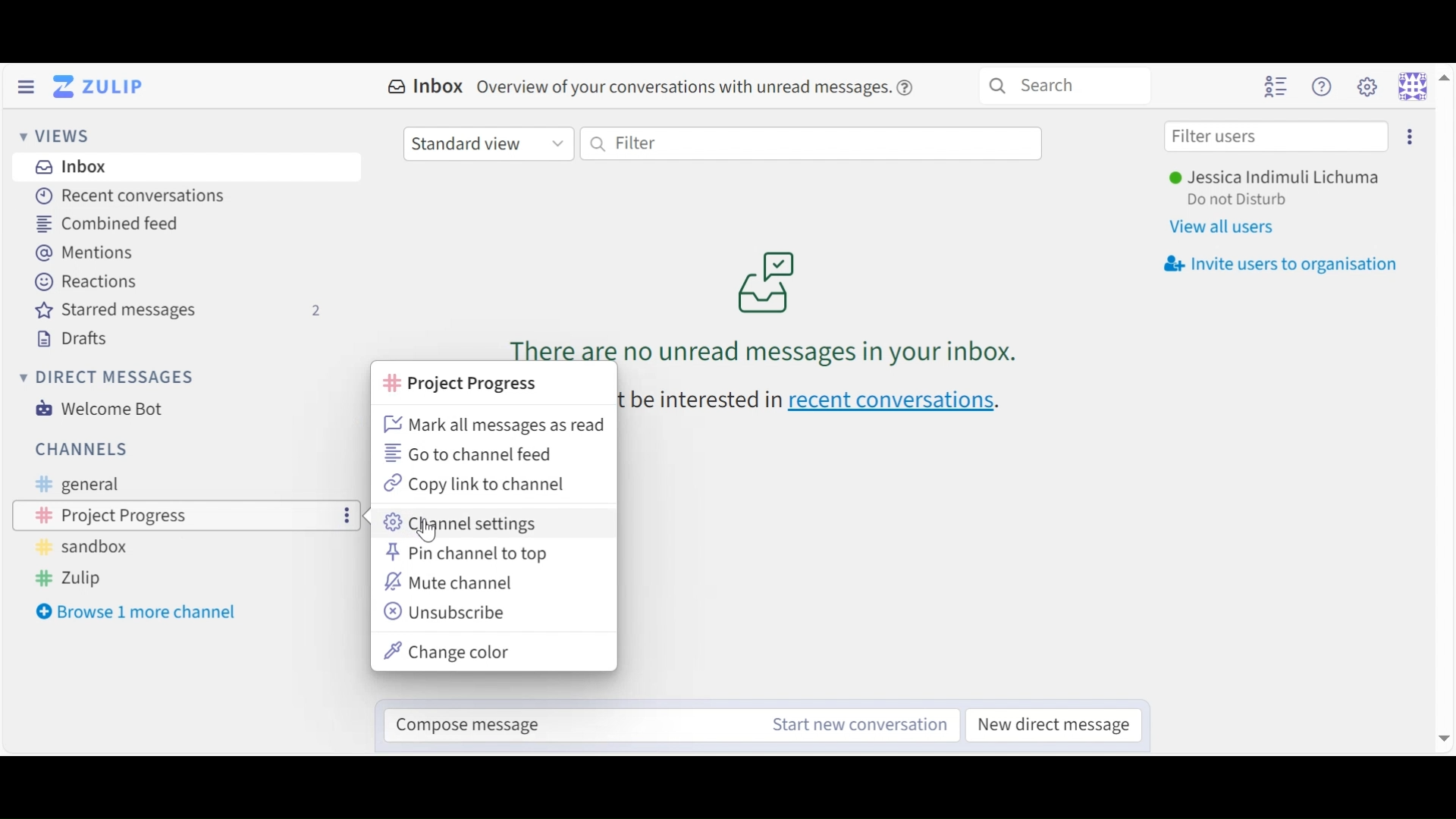 This screenshot has width=1456, height=819. I want to click on Drafts, so click(77, 340).